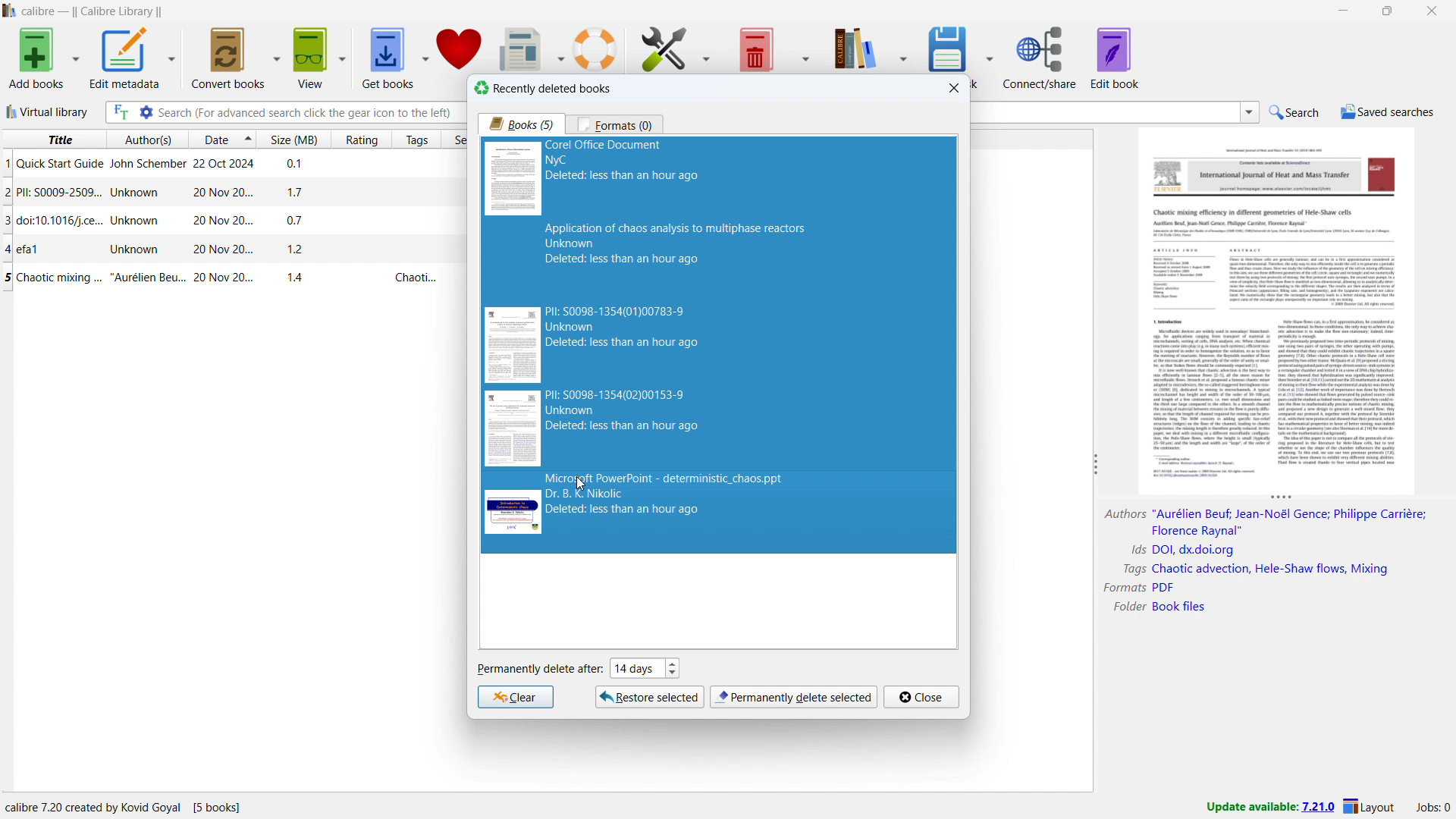 The width and height of the screenshot is (1456, 819). Describe the element at coordinates (93, 11) in the screenshot. I see `title` at that location.